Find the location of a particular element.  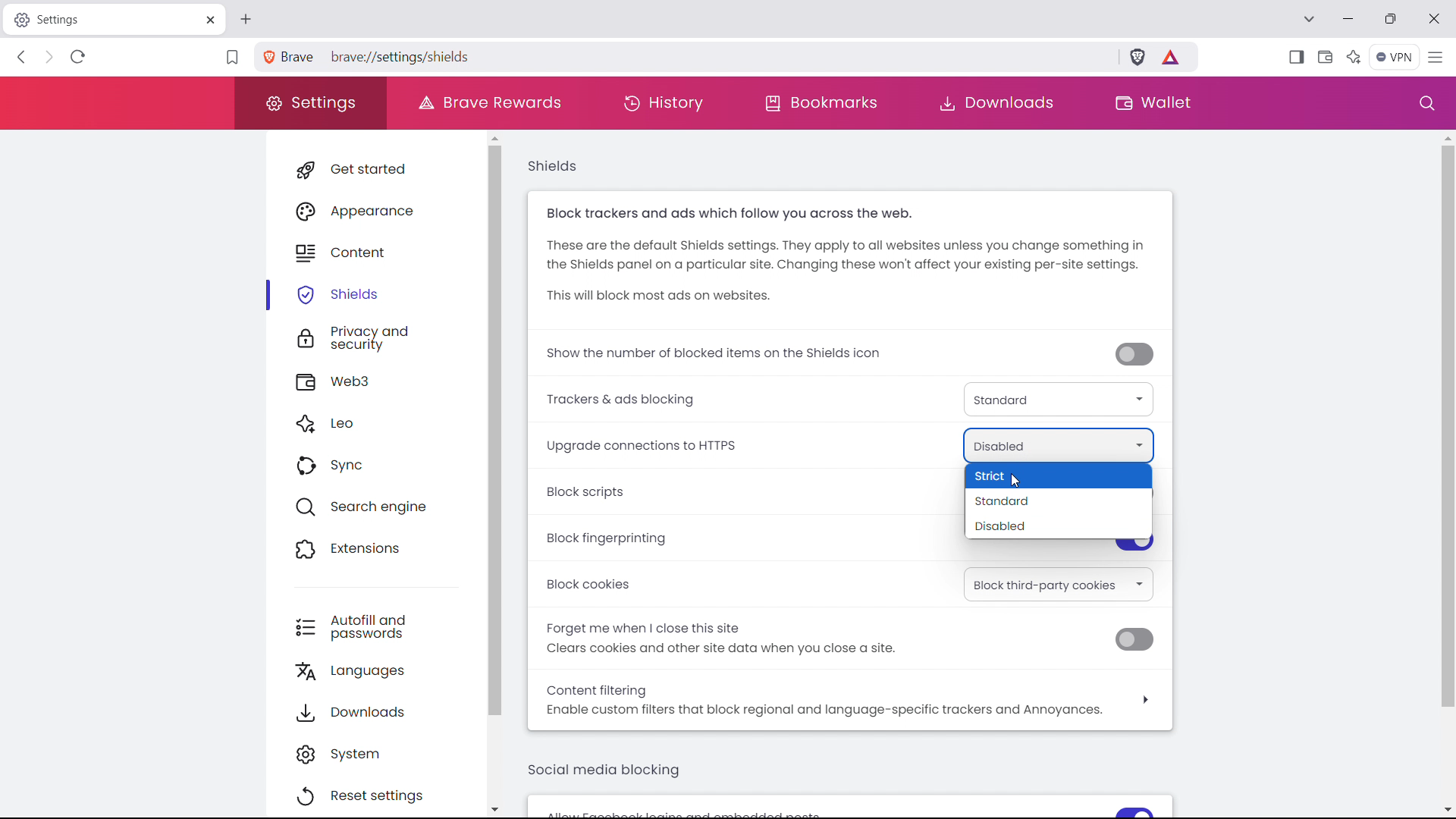

open new tab is located at coordinates (246, 20).